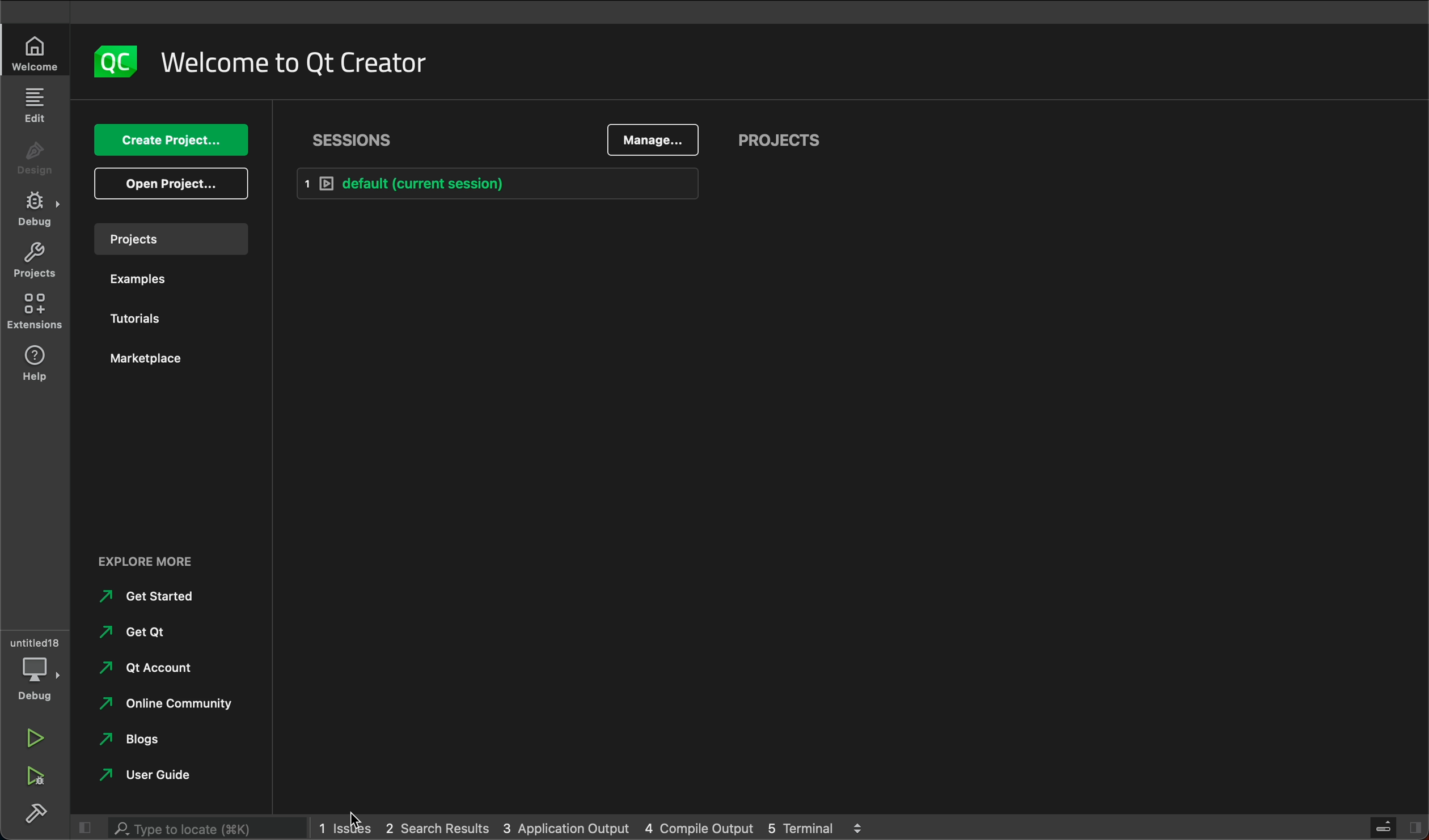 This screenshot has width=1429, height=840. What do you see at coordinates (654, 140) in the screenshot?
I see `manage` at bounding box center [654, 140].